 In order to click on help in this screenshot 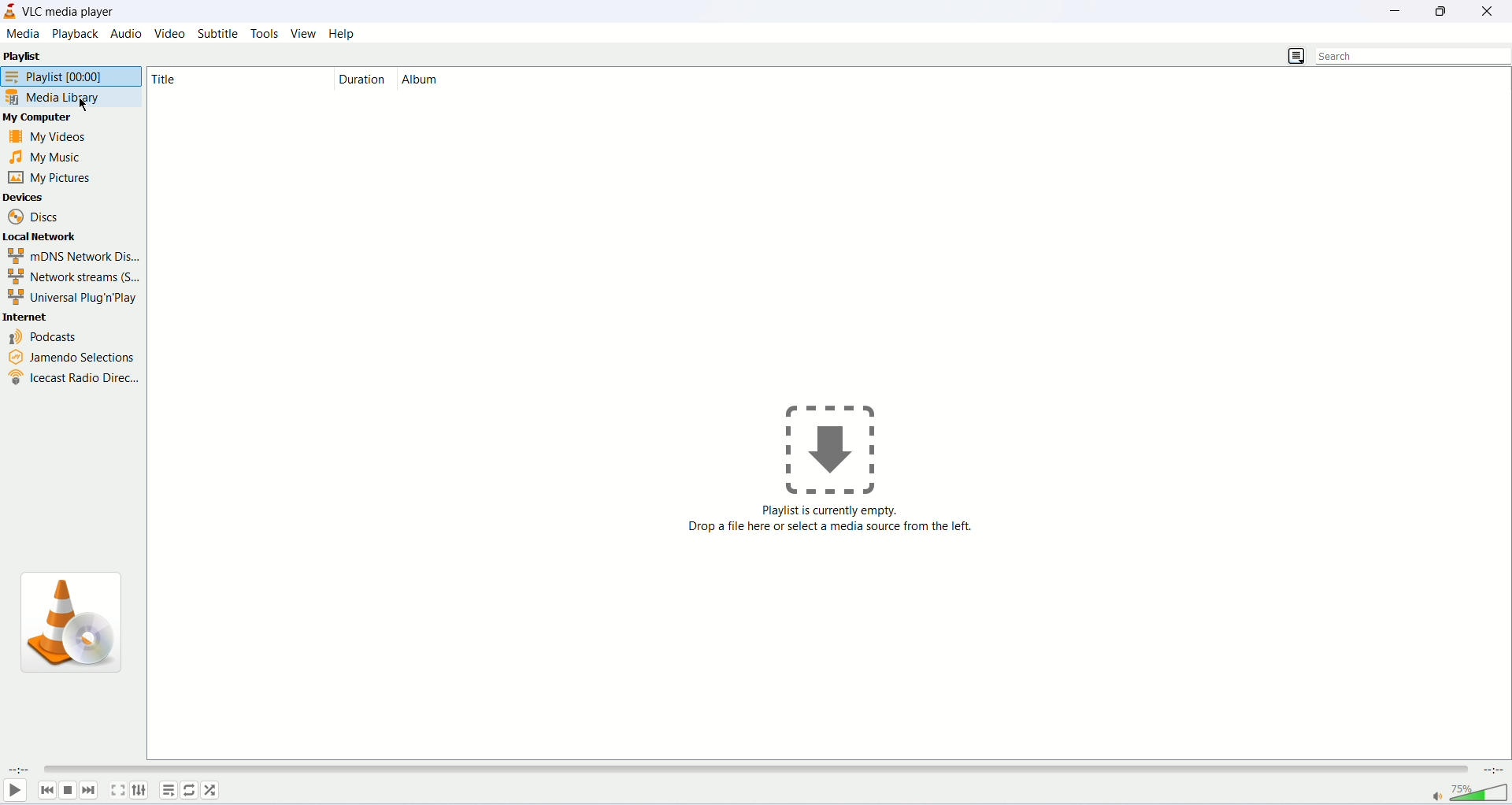, I will do `click(342, 34)`.